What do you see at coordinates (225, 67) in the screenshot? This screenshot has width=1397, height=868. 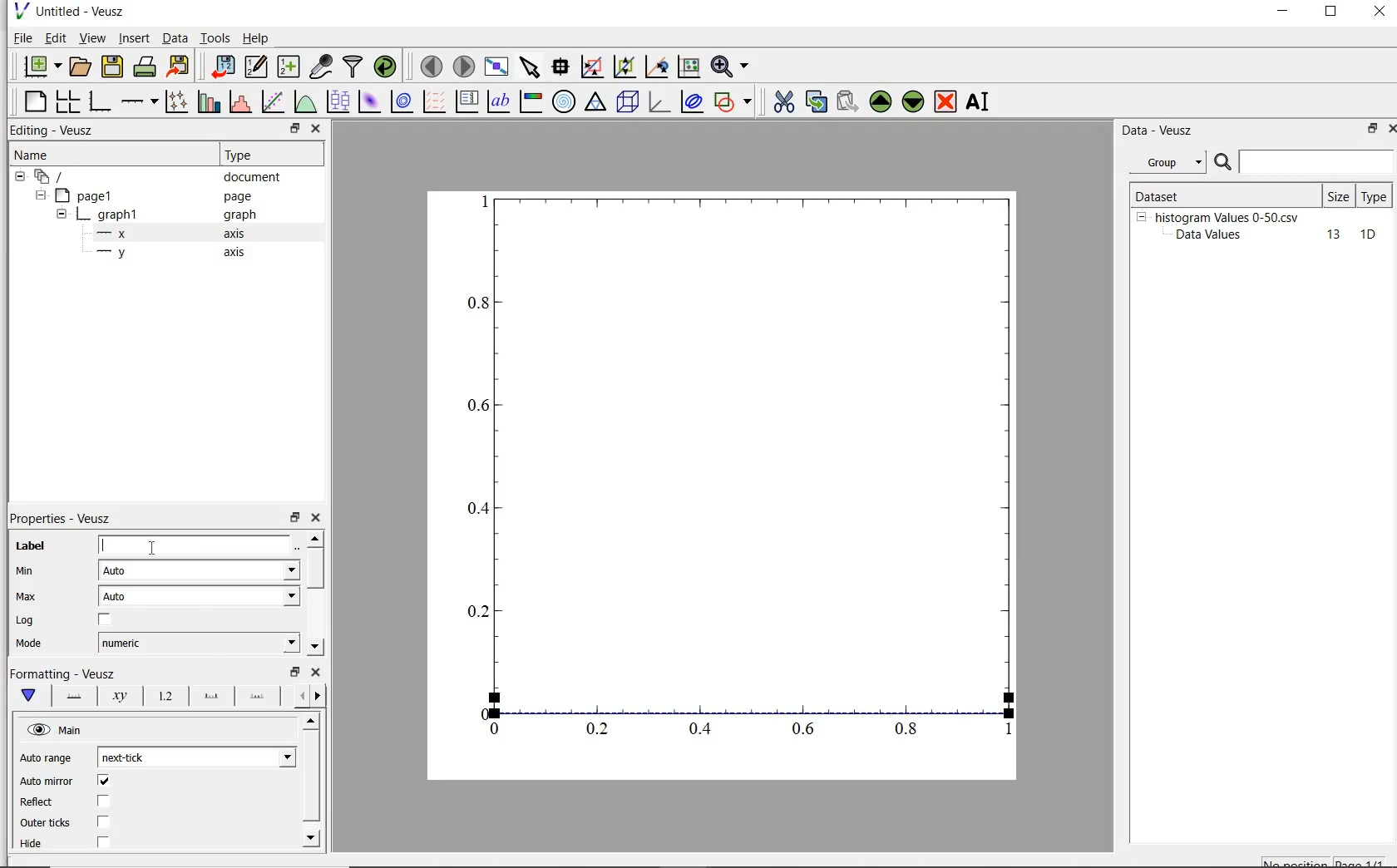 I see `import data into veusz` at bounding box center [225, 67].